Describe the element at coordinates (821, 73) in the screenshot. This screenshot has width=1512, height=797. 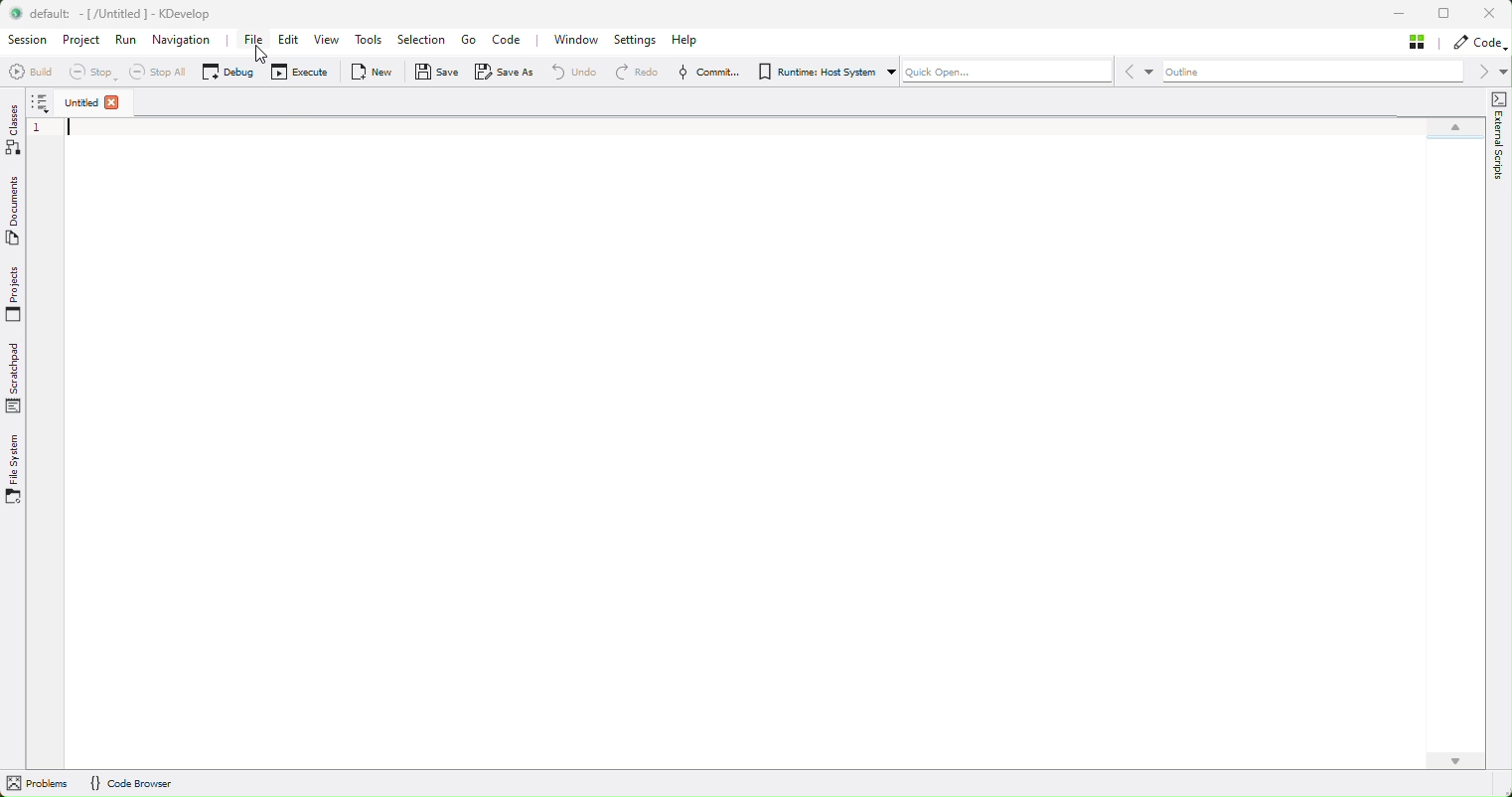
I see `Runtime` at that location.